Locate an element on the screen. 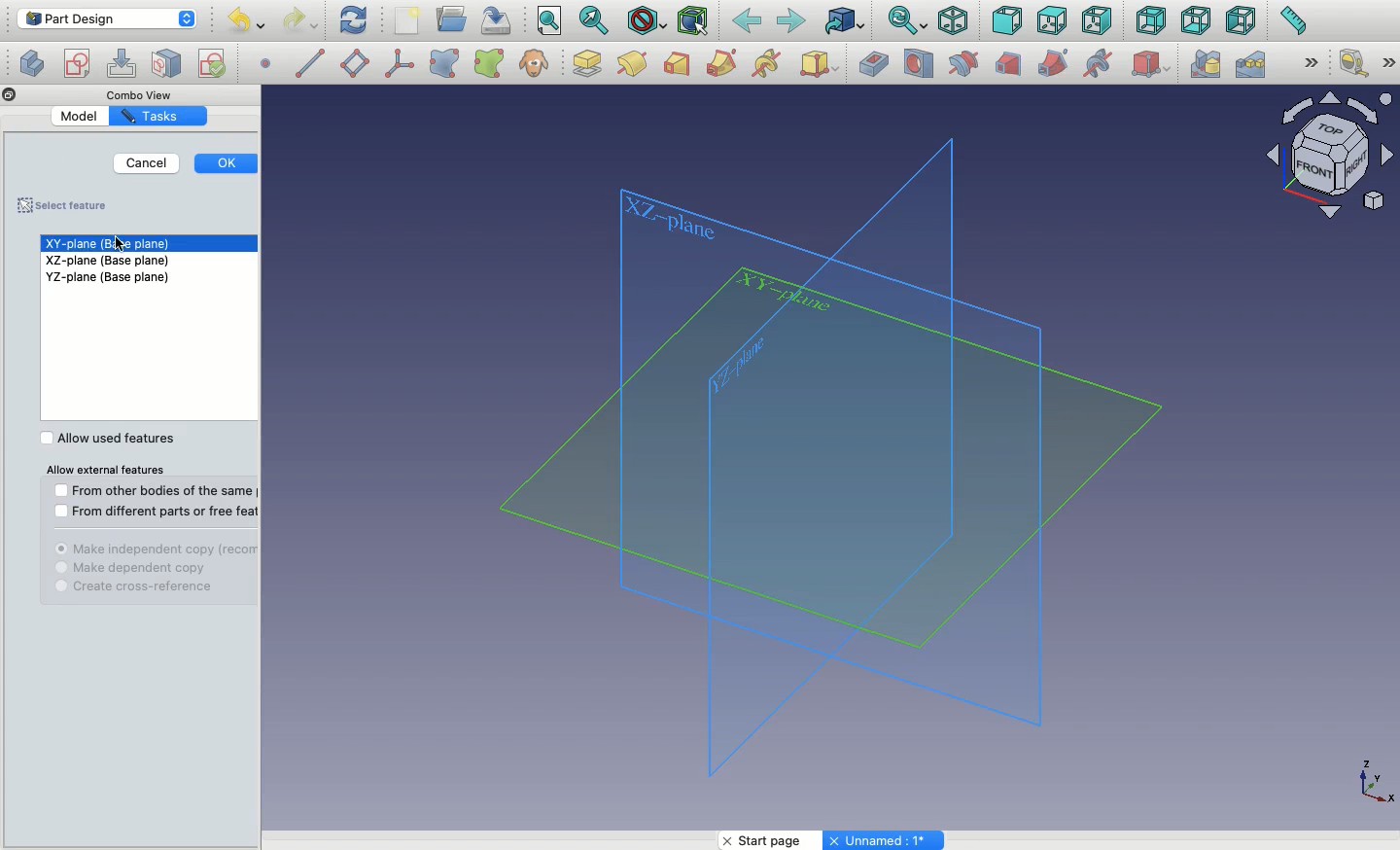 The image size is (1400, 850). Additive loft is located at coordinates (677, 65).